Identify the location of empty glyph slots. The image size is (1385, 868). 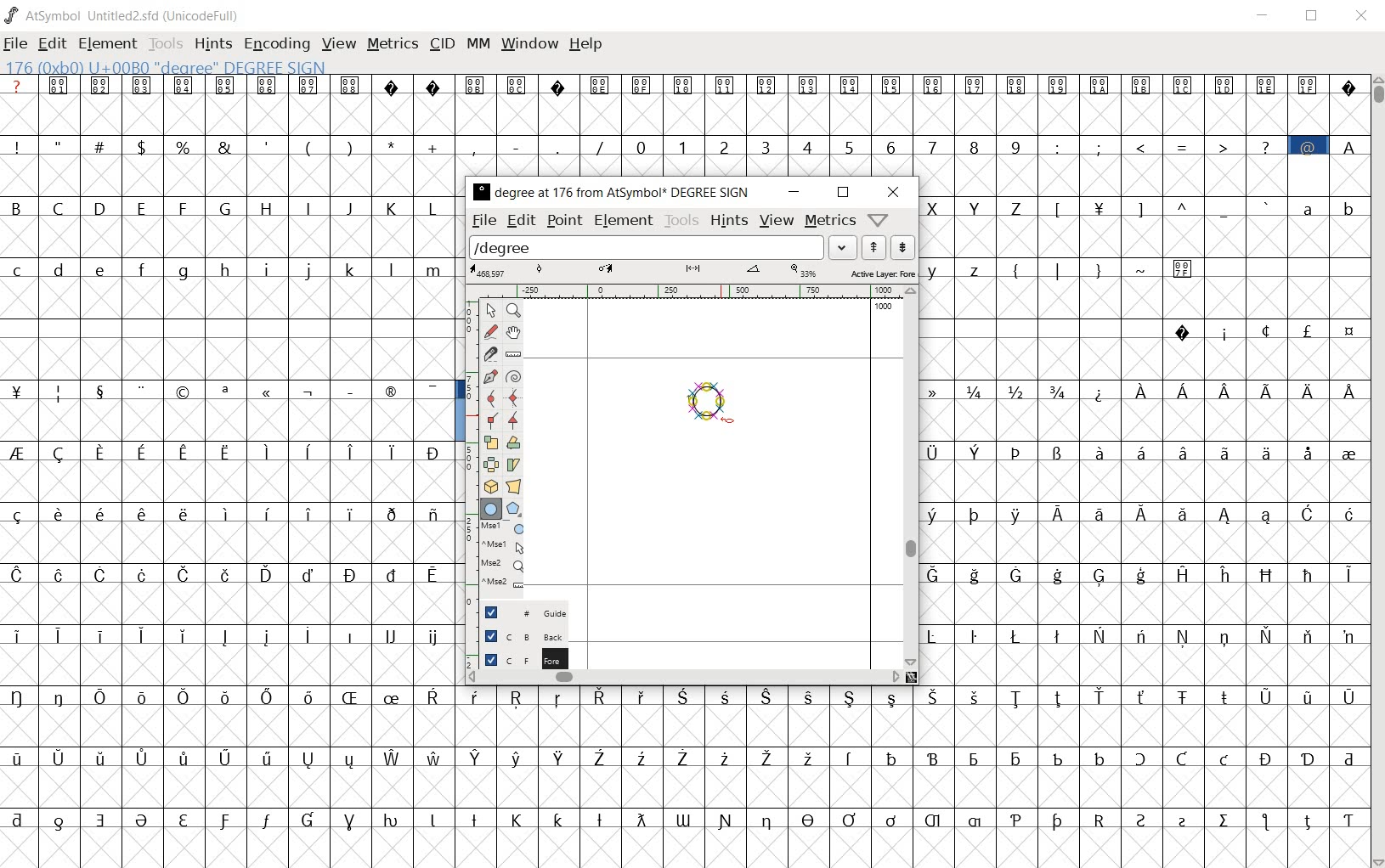
(1146, 174).